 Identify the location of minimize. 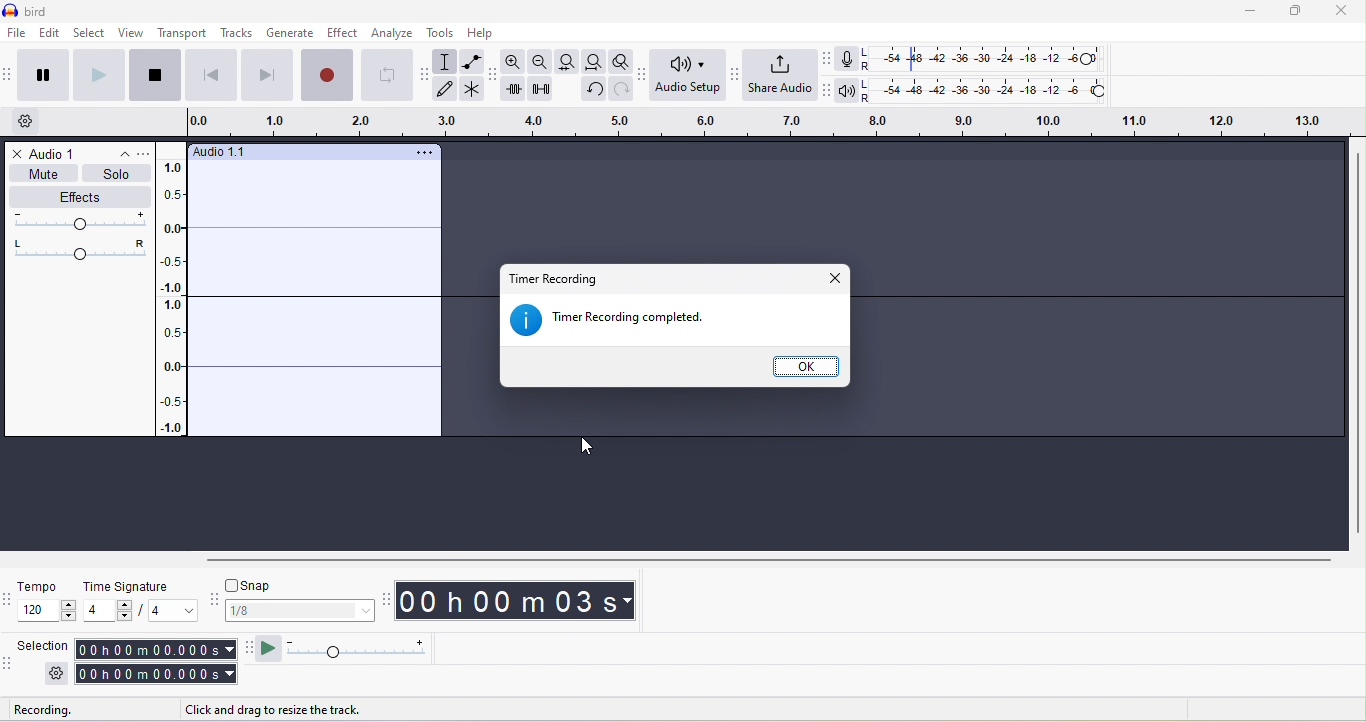
(1251, 14).